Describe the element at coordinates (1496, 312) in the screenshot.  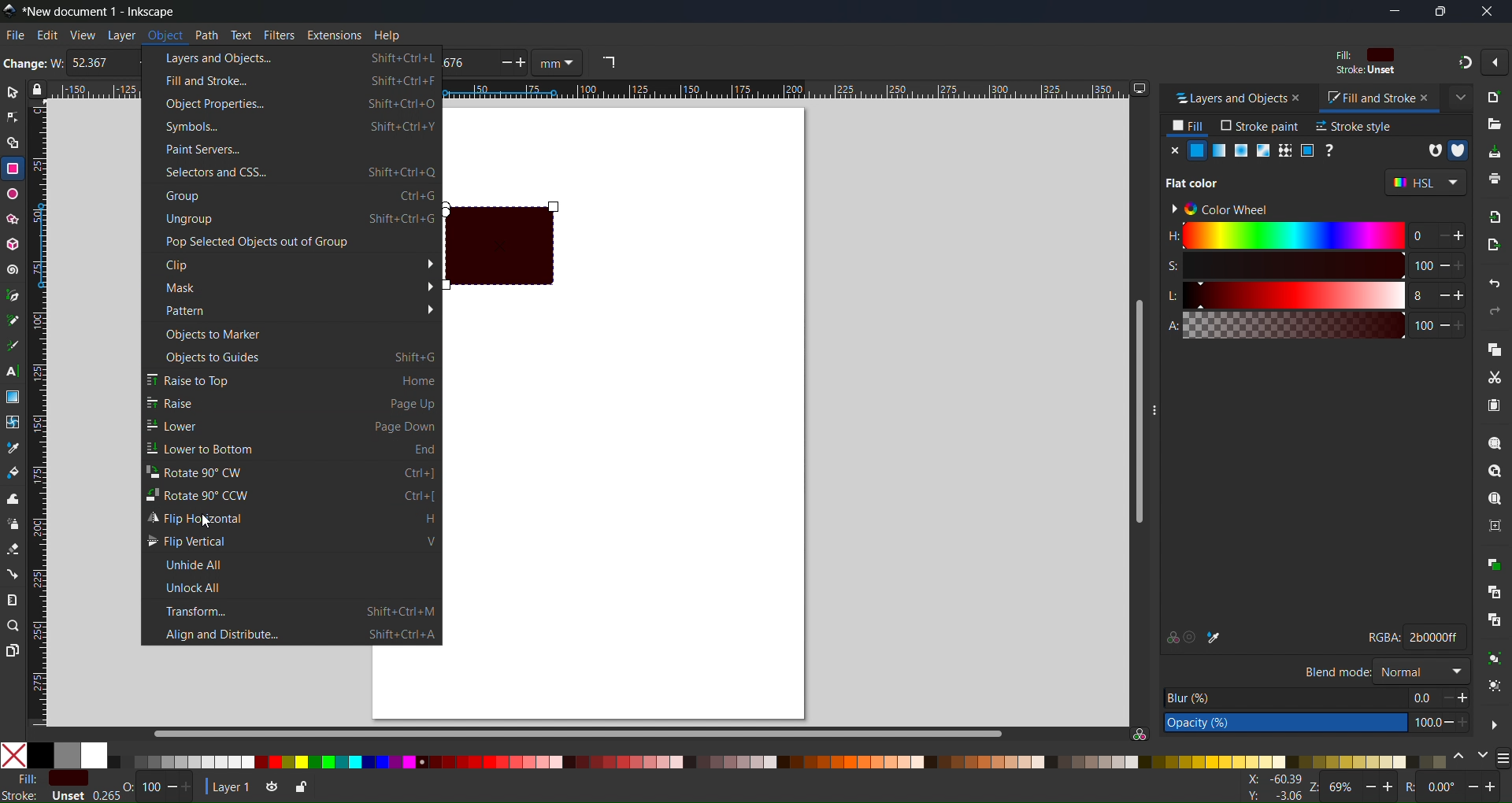
I see `Redo` at that location.